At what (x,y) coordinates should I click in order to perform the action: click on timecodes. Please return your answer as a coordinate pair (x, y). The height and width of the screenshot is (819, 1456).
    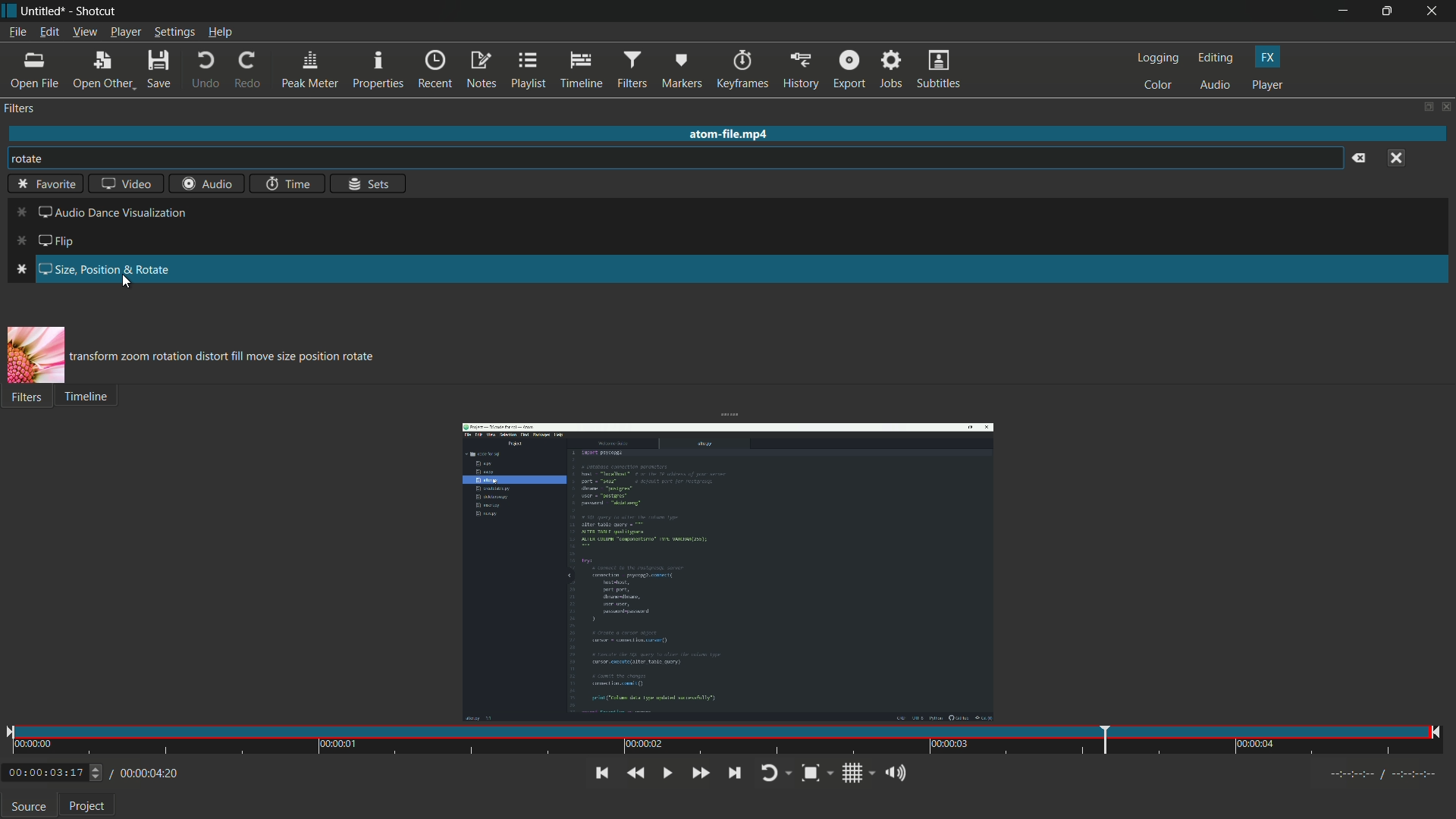
    Looking at the image, I should click on (1385, 776).